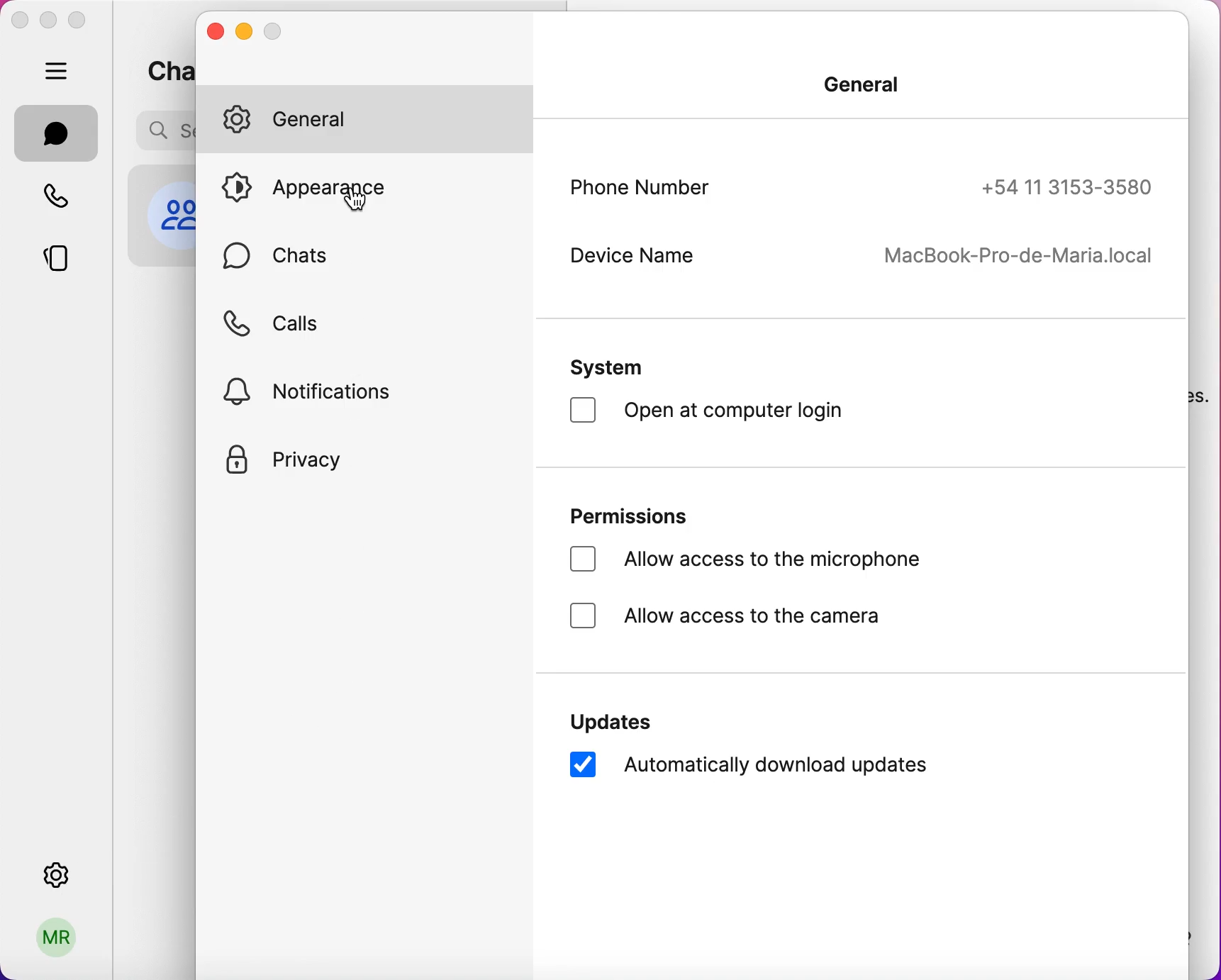  Describe the element at coordinates (301, 465) in the screenshot. I see `privacy` at that location.